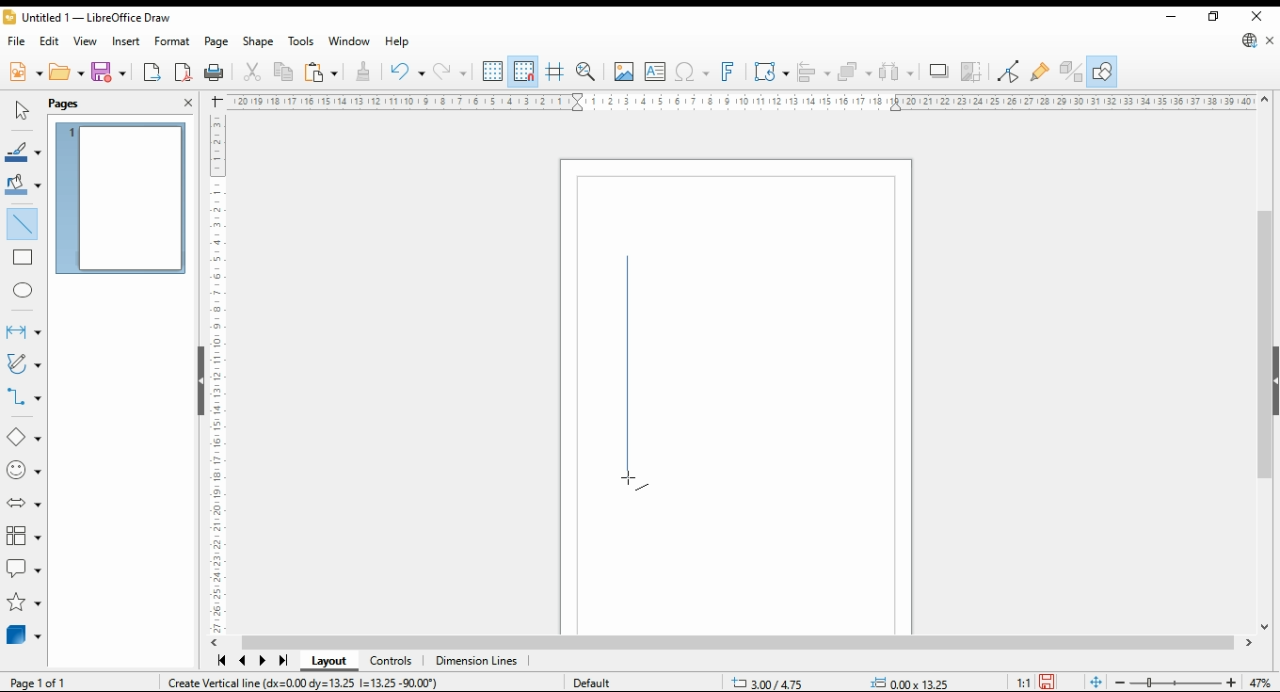 The height and width of the screenshot is (692, 1280). Describe the element at coordinates (258, 42) in the screenshot. I see `shape` at that location.